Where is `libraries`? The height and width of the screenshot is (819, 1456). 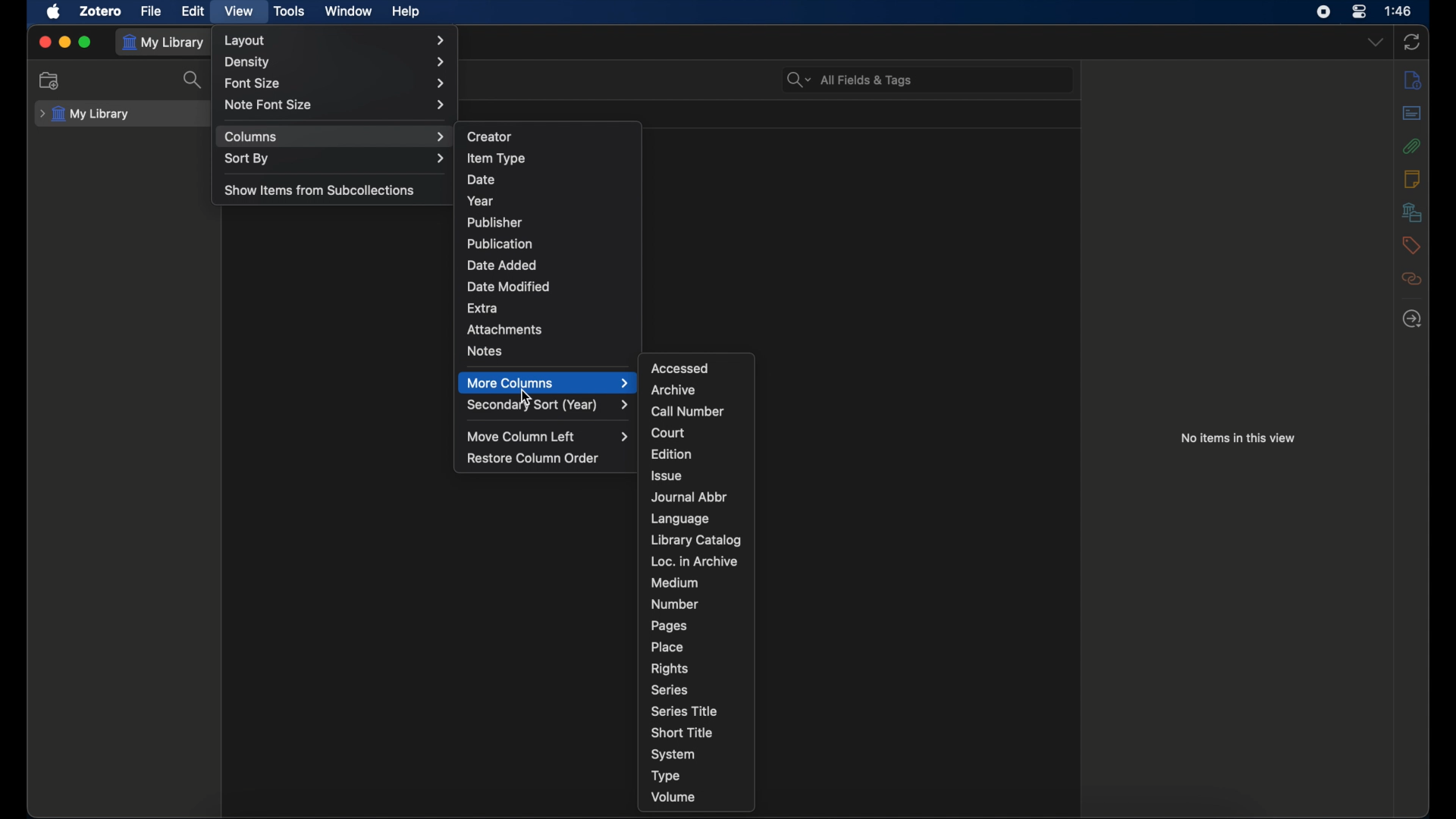
libraries is located at coordinates (1412, 212).